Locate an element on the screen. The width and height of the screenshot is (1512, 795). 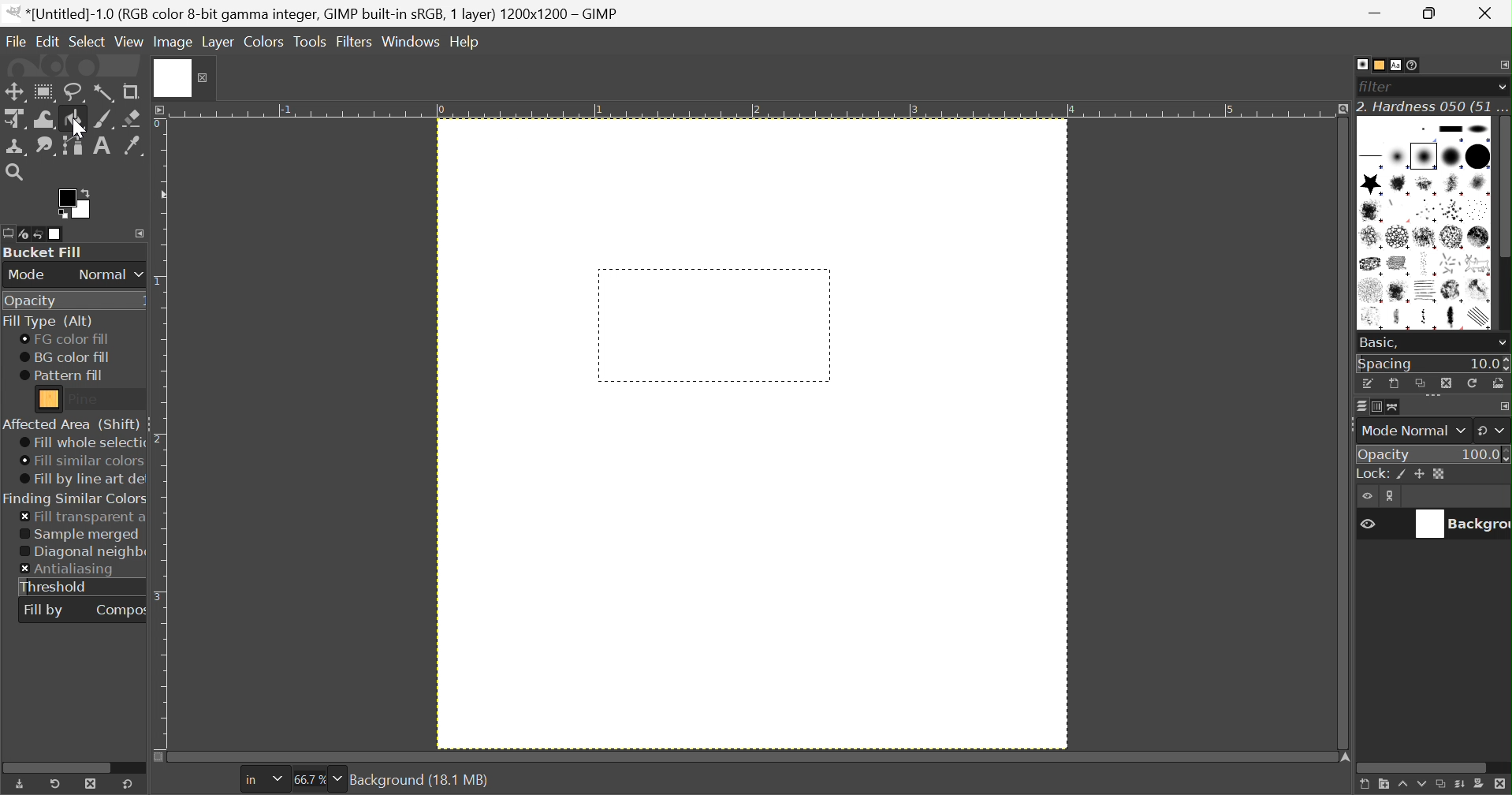
Document History is located at coordinates (1413, 65).